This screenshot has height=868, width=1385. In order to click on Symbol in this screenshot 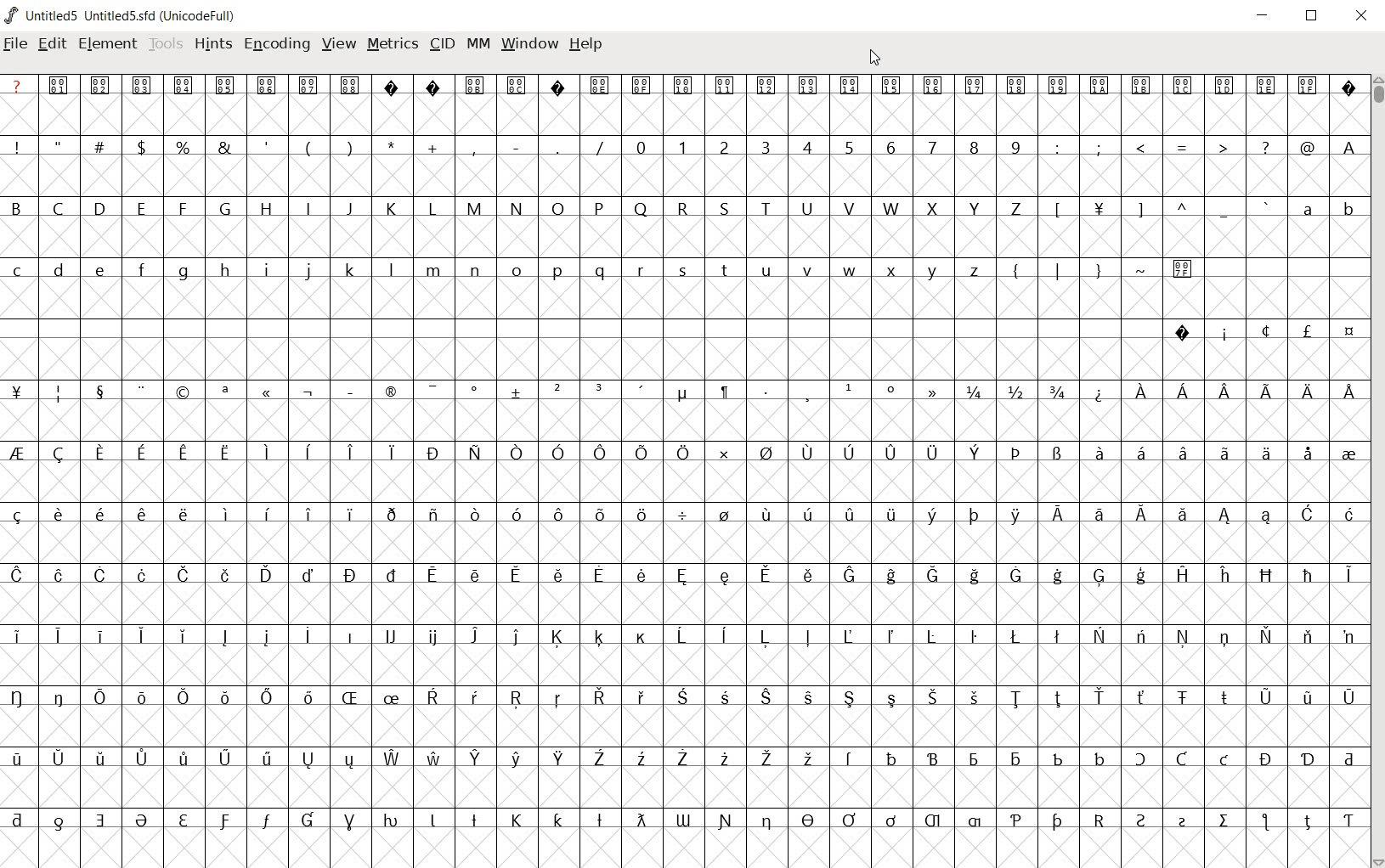, I will do `click(1015, 821)`.